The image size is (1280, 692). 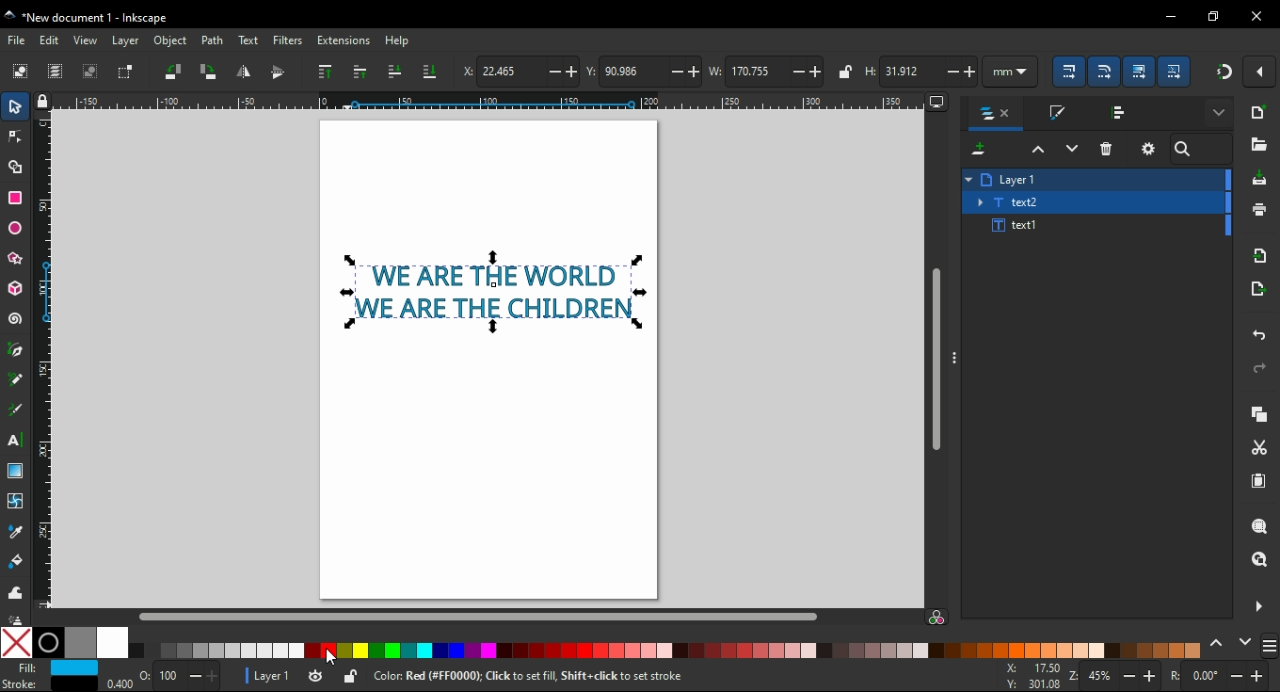 What do you see at coordinates (16, 39) in the screenshot?
I see `file` at bounding box center [16, 39].